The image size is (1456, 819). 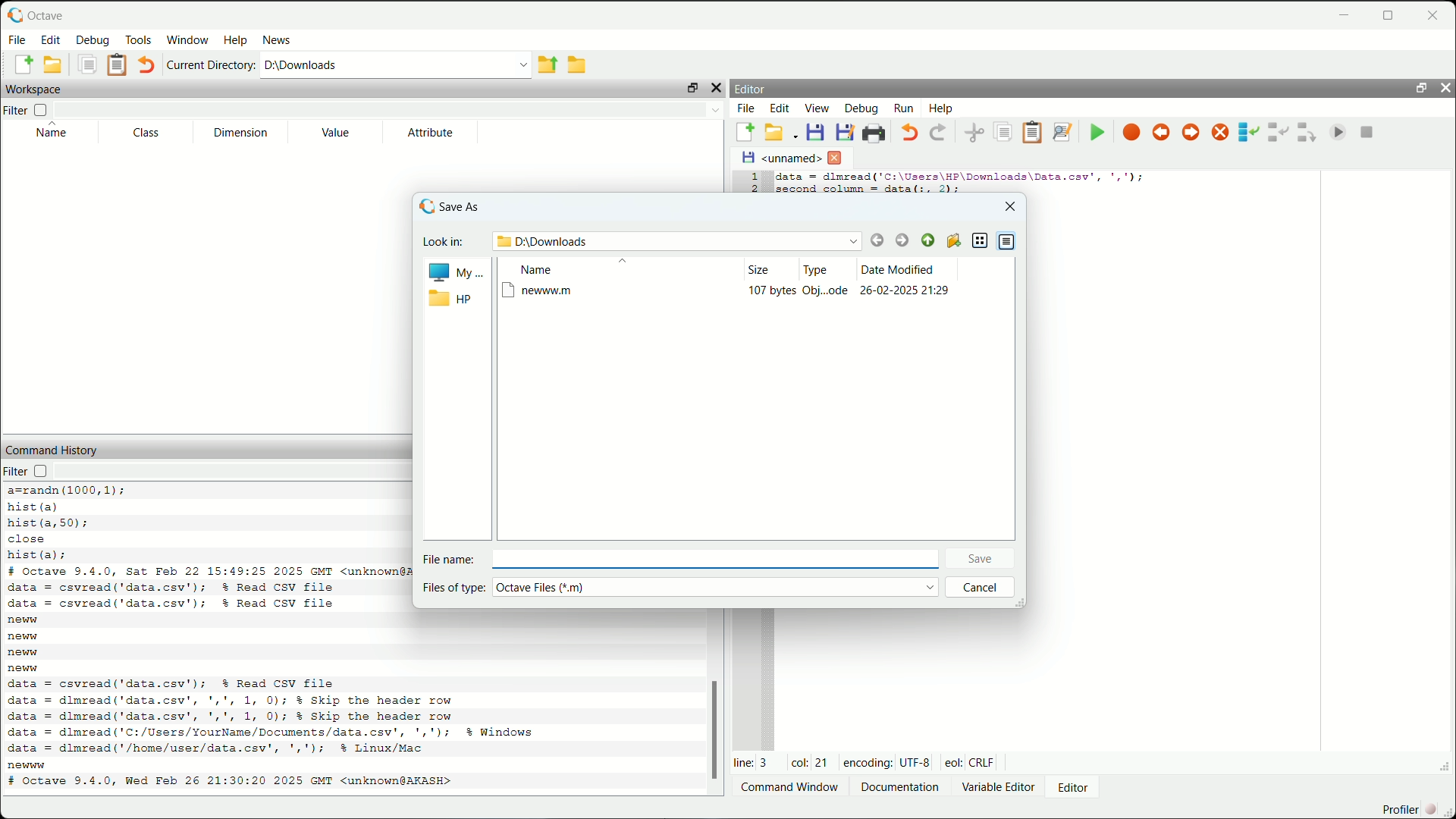 What do you see at coordinates (452, 587) in the screenshot?
I see `files of type` at bounding box center [452, 587].